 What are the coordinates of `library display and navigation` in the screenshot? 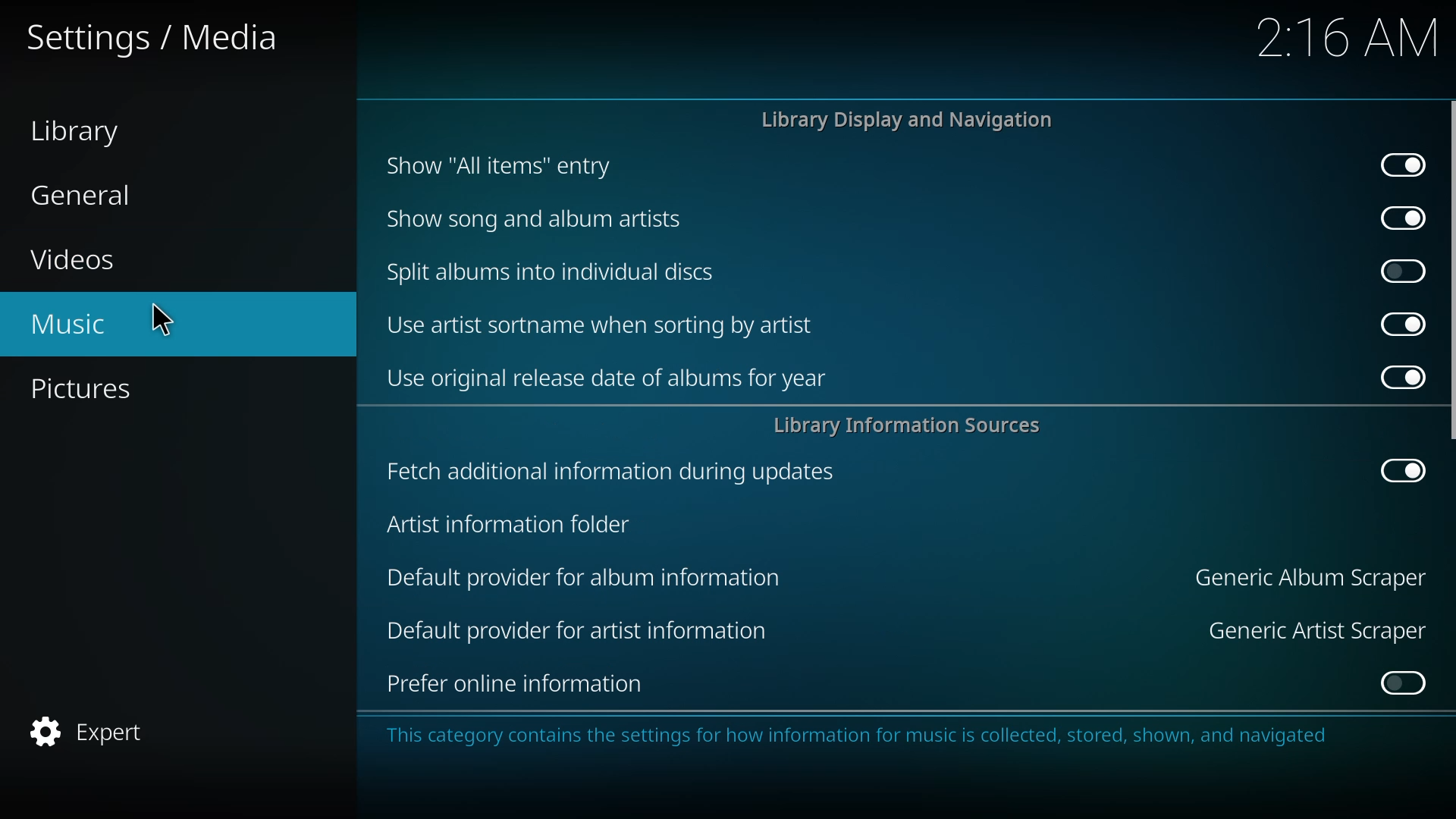 It's located at (910, 120).